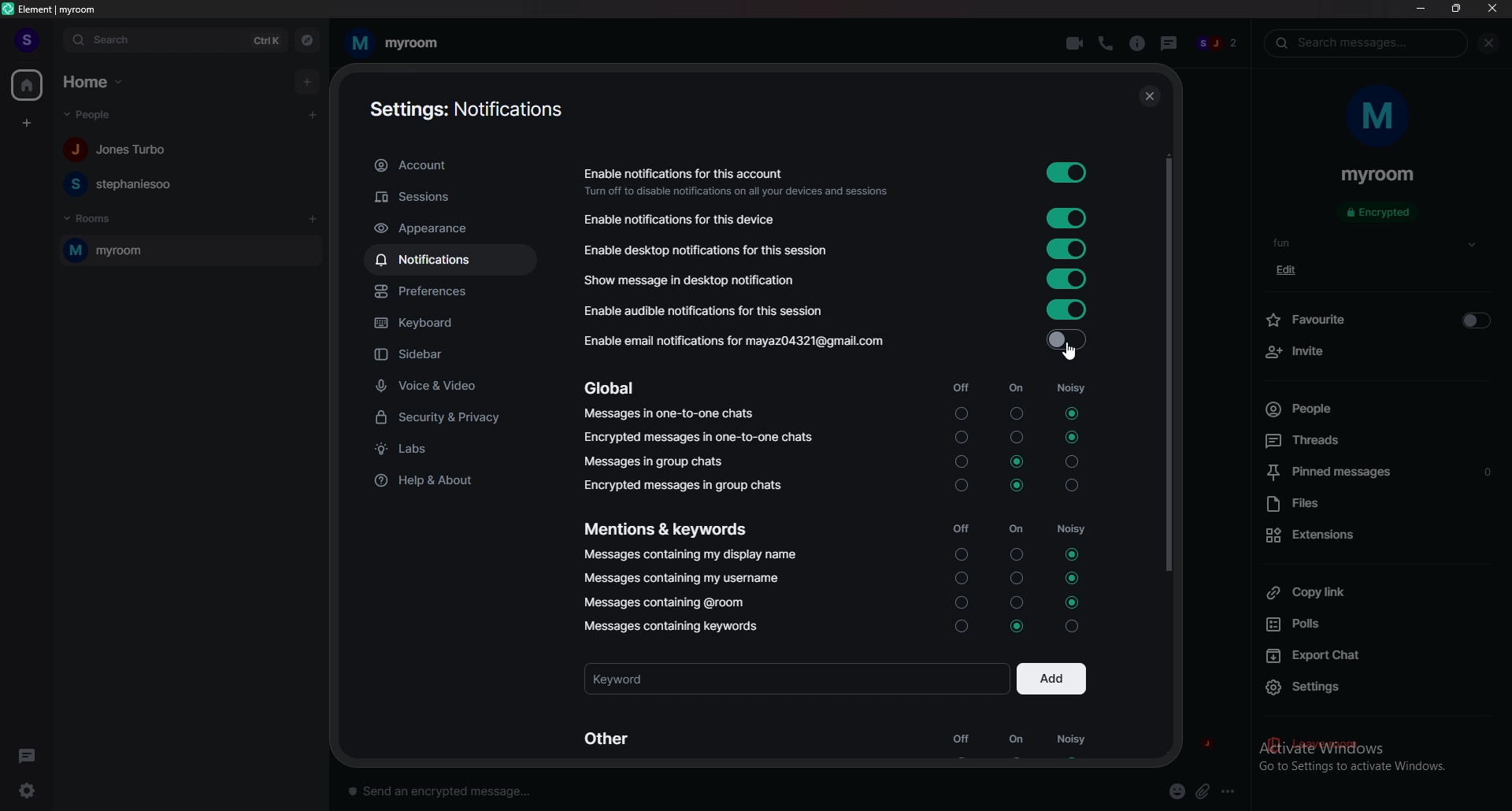 Image resolution: width=1512 pixels, height=811 pixels. I want to click on create space, so click(26, 123).